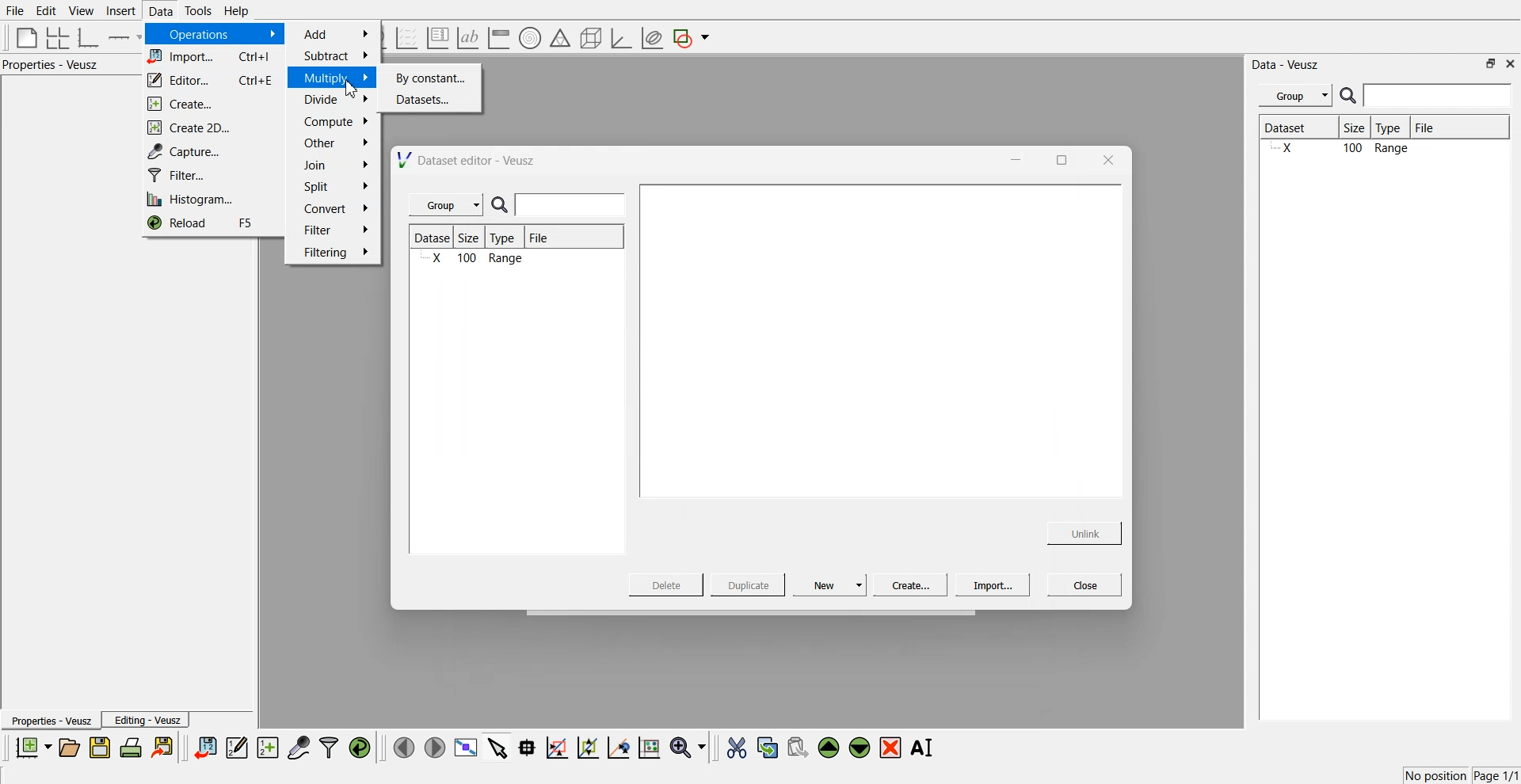 The height and width of the screenshot is (784, 1521). Describe the element at coordinates (466, 38) in the screenshot. I see `text label` at that location.